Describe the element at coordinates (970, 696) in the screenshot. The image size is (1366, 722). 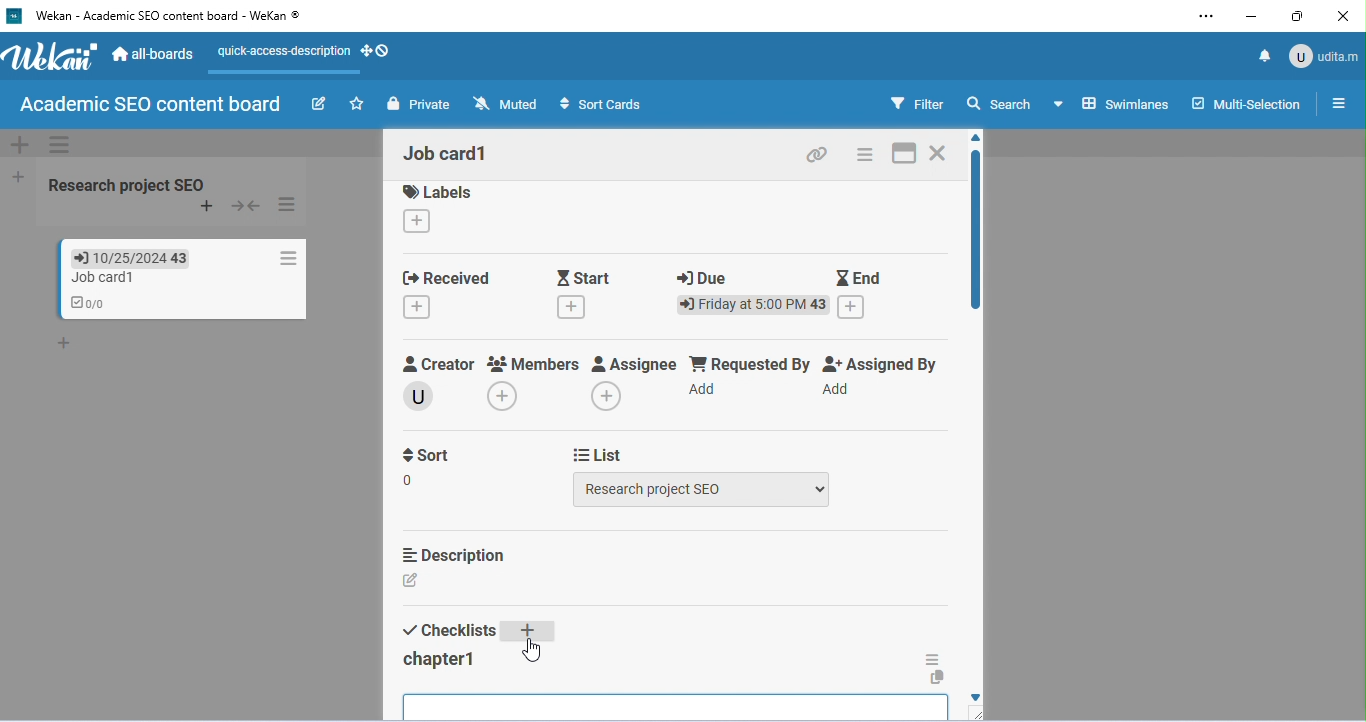
I see `down` at that location.